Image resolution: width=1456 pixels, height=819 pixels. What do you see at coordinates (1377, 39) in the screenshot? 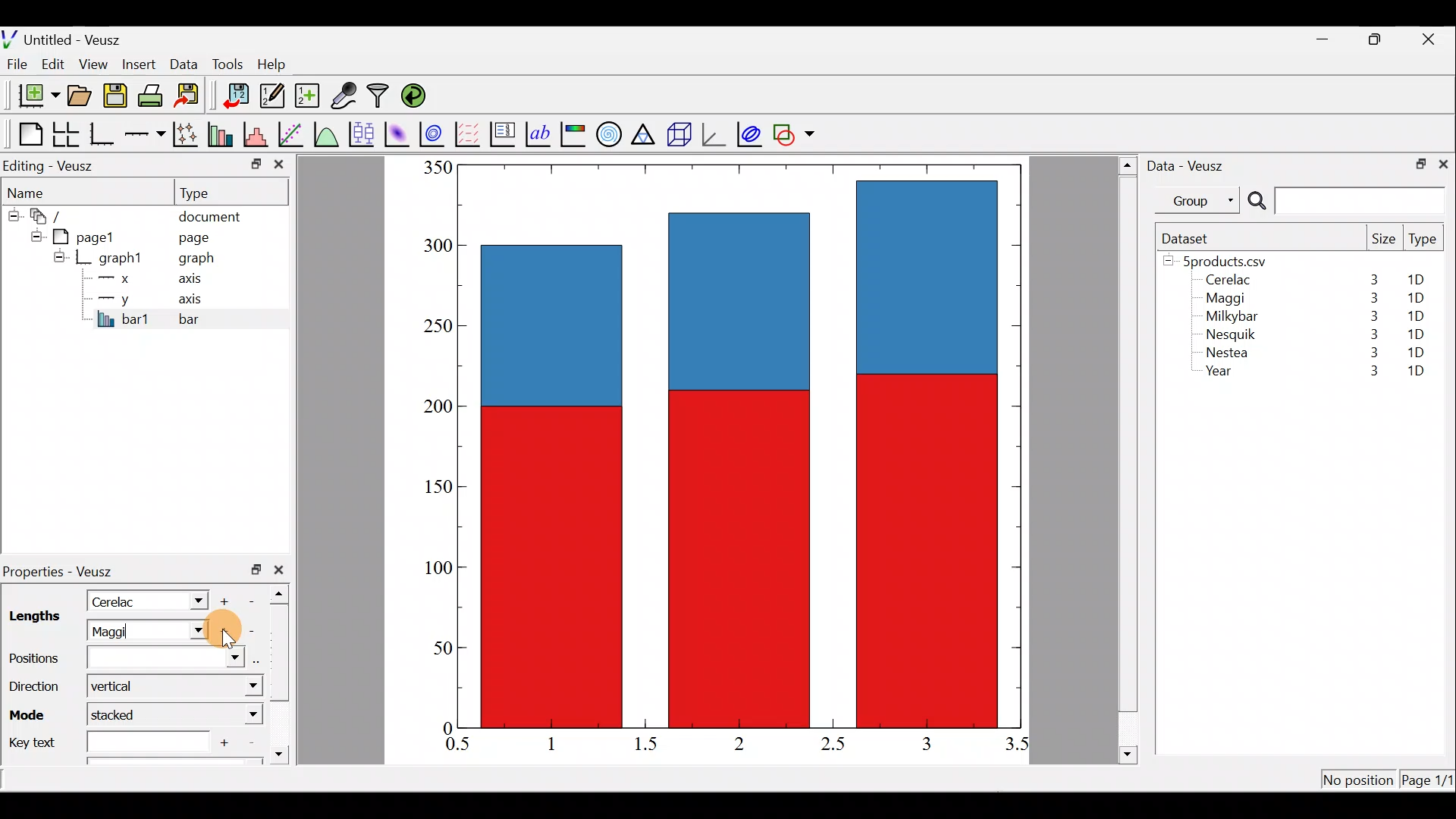
I see `restore down` at bounding box center [1377, 39].